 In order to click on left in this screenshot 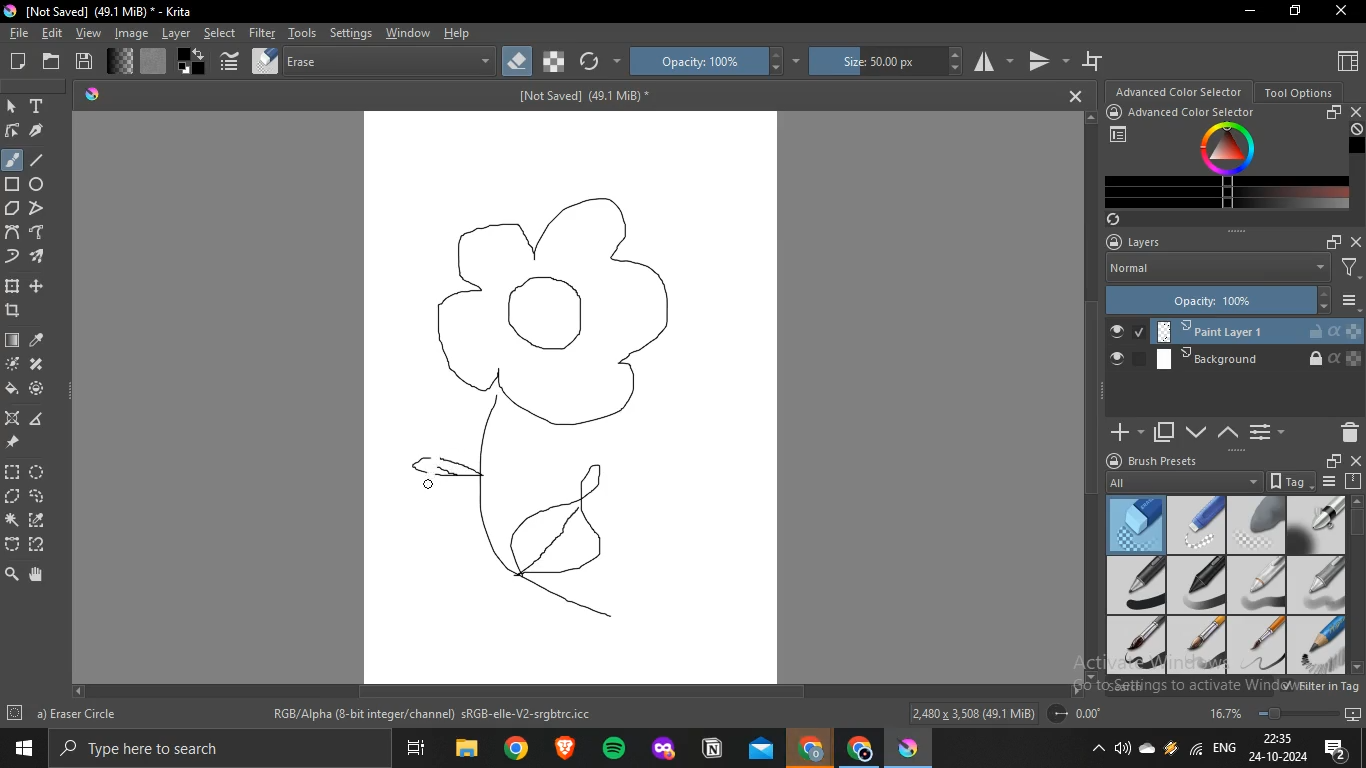, I will do `click(77, 690)`.